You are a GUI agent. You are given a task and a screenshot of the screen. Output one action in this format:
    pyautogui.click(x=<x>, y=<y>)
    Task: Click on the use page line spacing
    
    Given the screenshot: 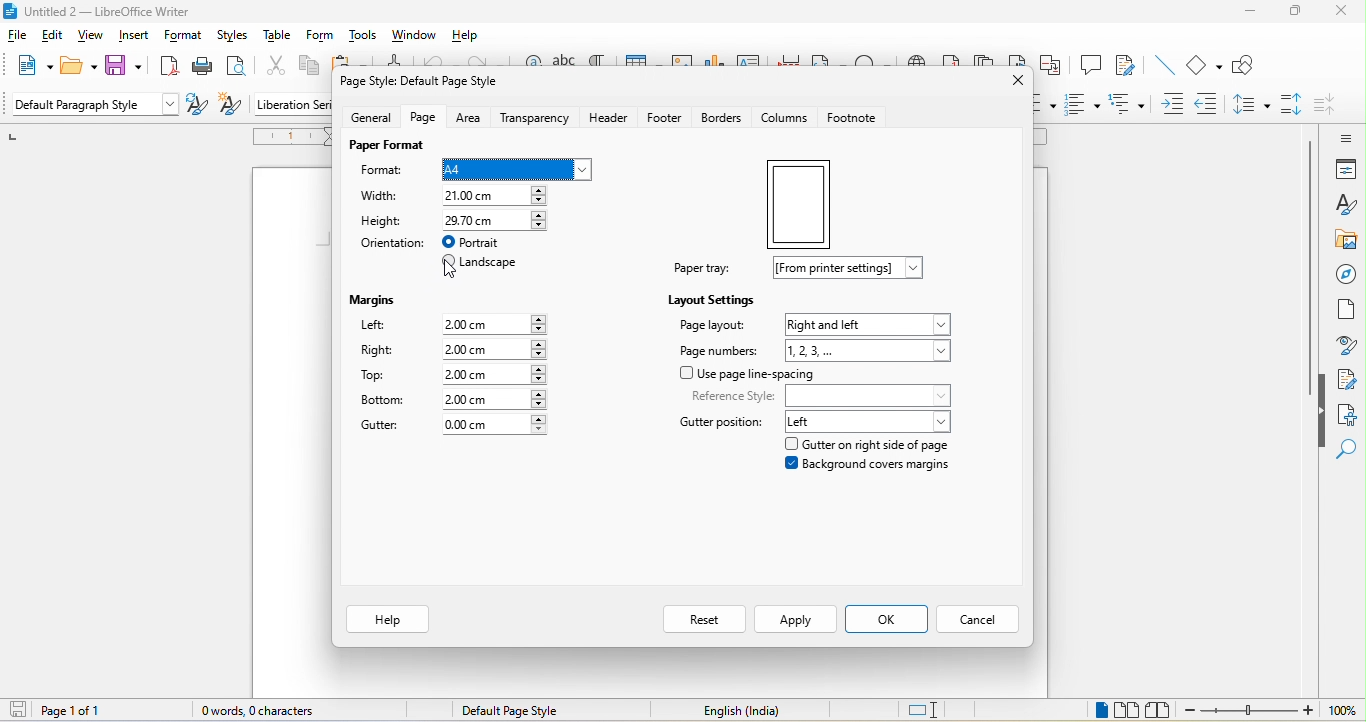 What is the action you would take?
    pyautogui.click(x=748, y=374)
    